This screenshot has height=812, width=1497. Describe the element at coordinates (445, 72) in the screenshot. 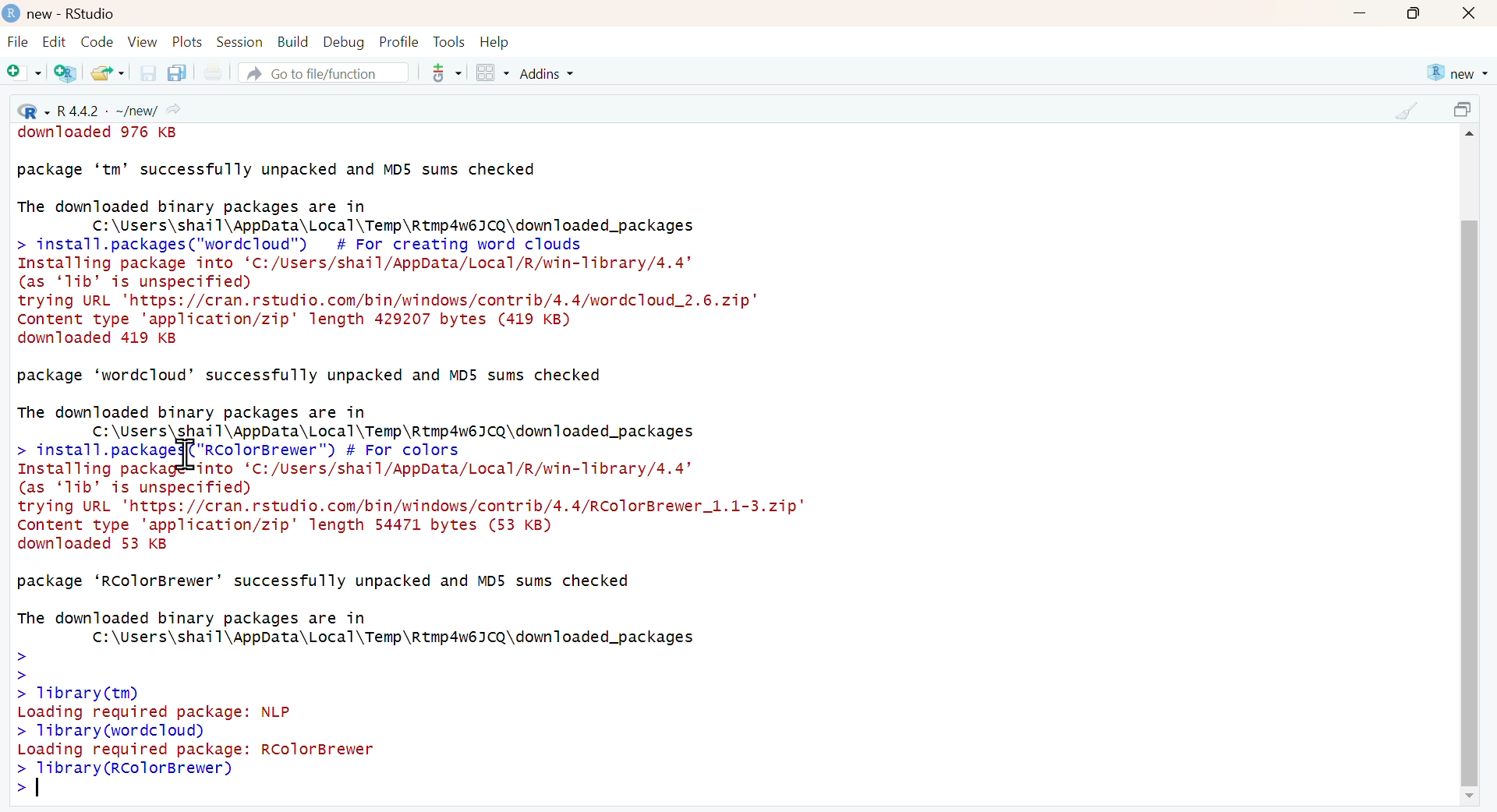

I see `more options` at that location.